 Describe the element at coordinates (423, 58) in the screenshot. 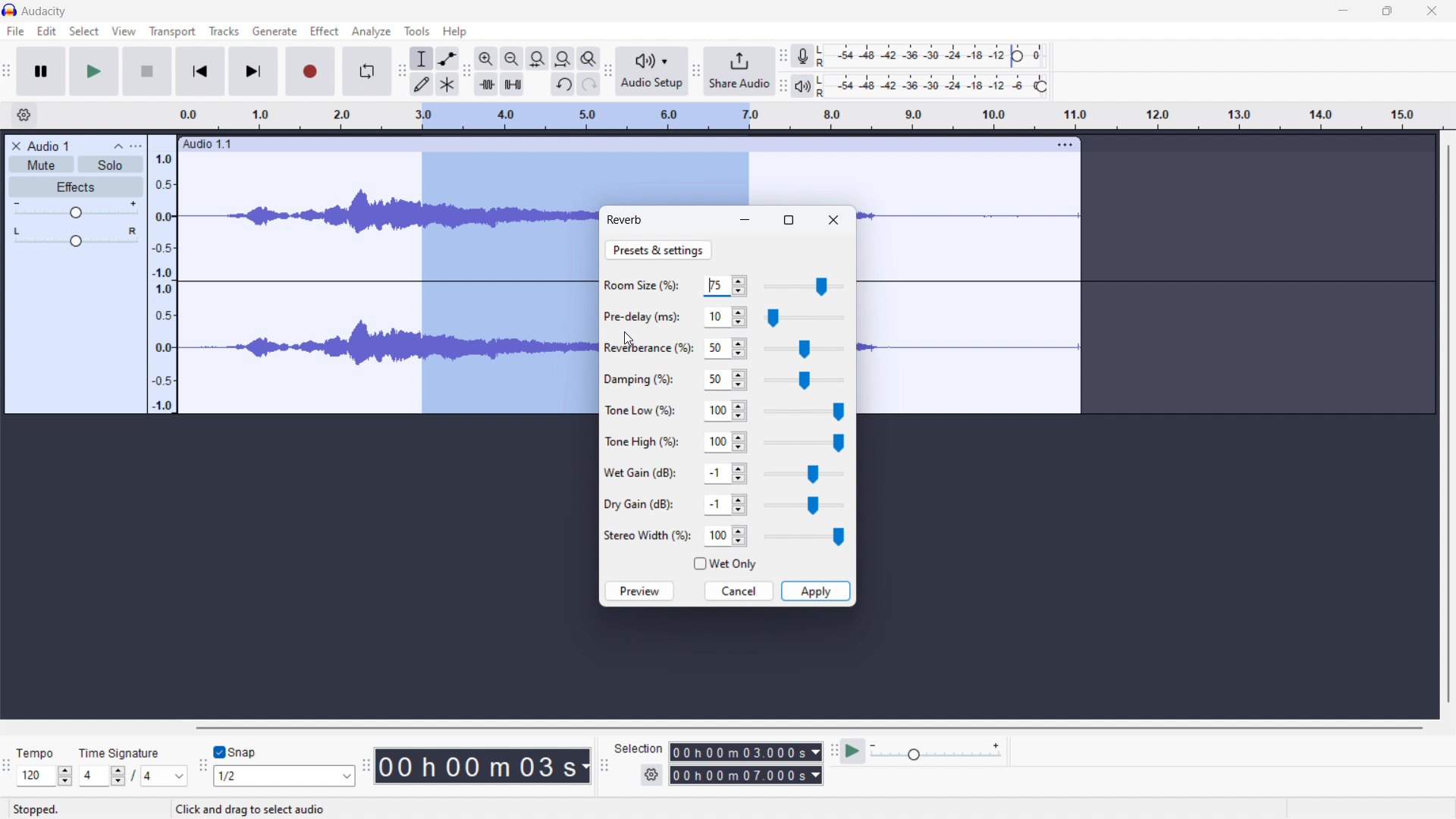

I see `selection tool` at that location.